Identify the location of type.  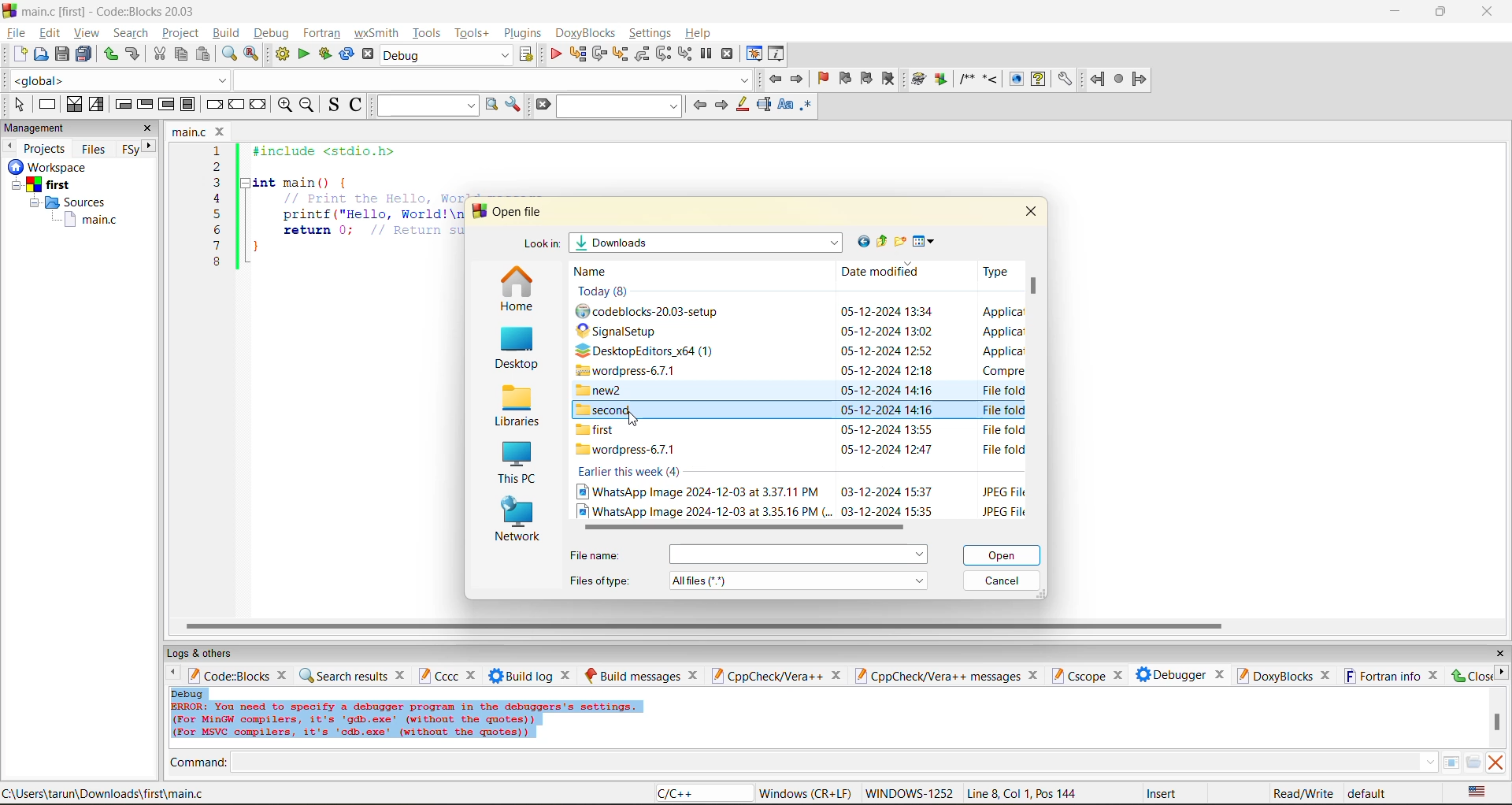
(1003, 312).